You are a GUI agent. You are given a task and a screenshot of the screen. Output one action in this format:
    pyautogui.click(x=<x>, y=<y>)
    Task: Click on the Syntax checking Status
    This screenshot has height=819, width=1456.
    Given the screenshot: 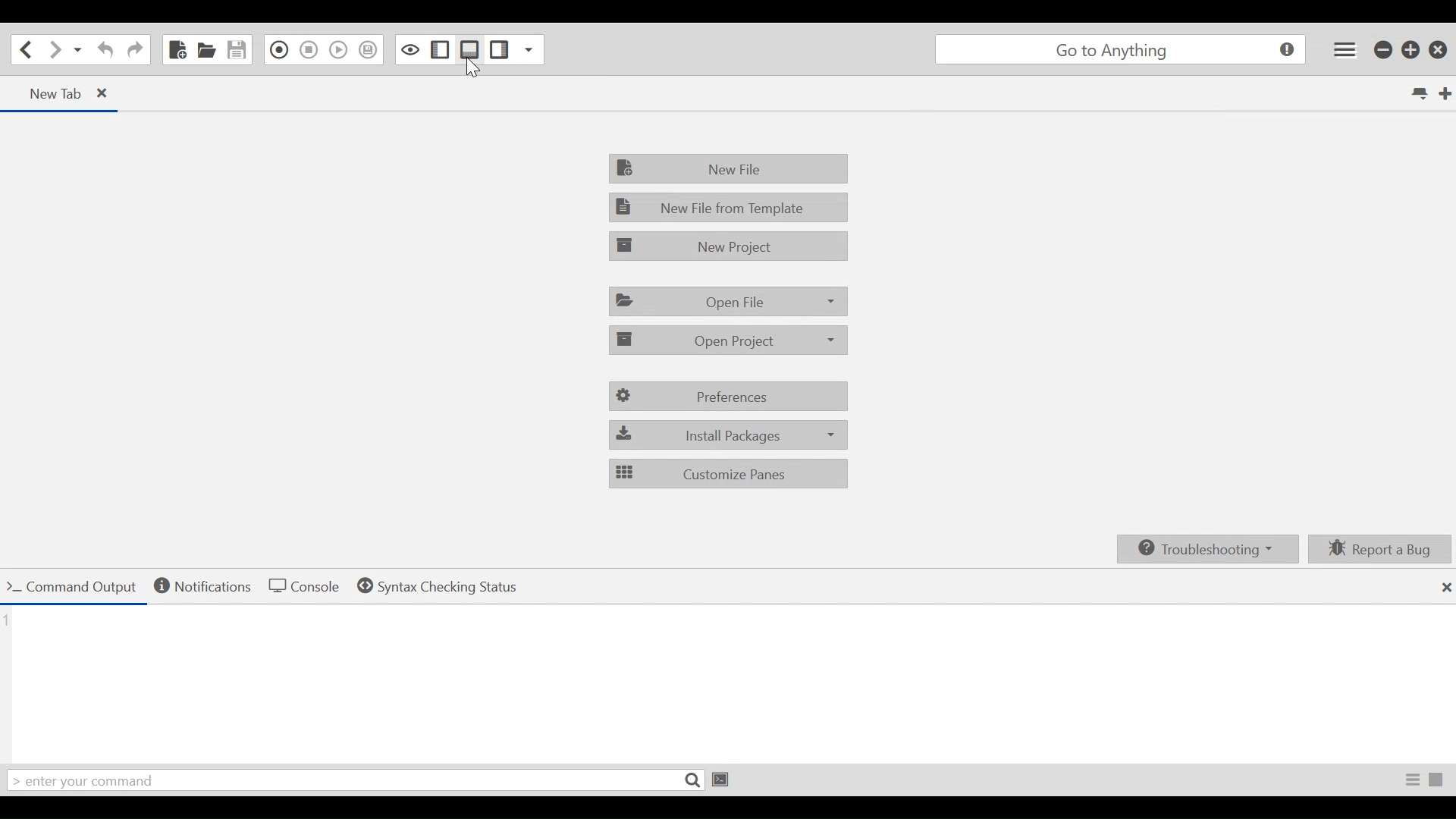 What is the action you would take?
    pyautogui.click(x=436, y=586)
    